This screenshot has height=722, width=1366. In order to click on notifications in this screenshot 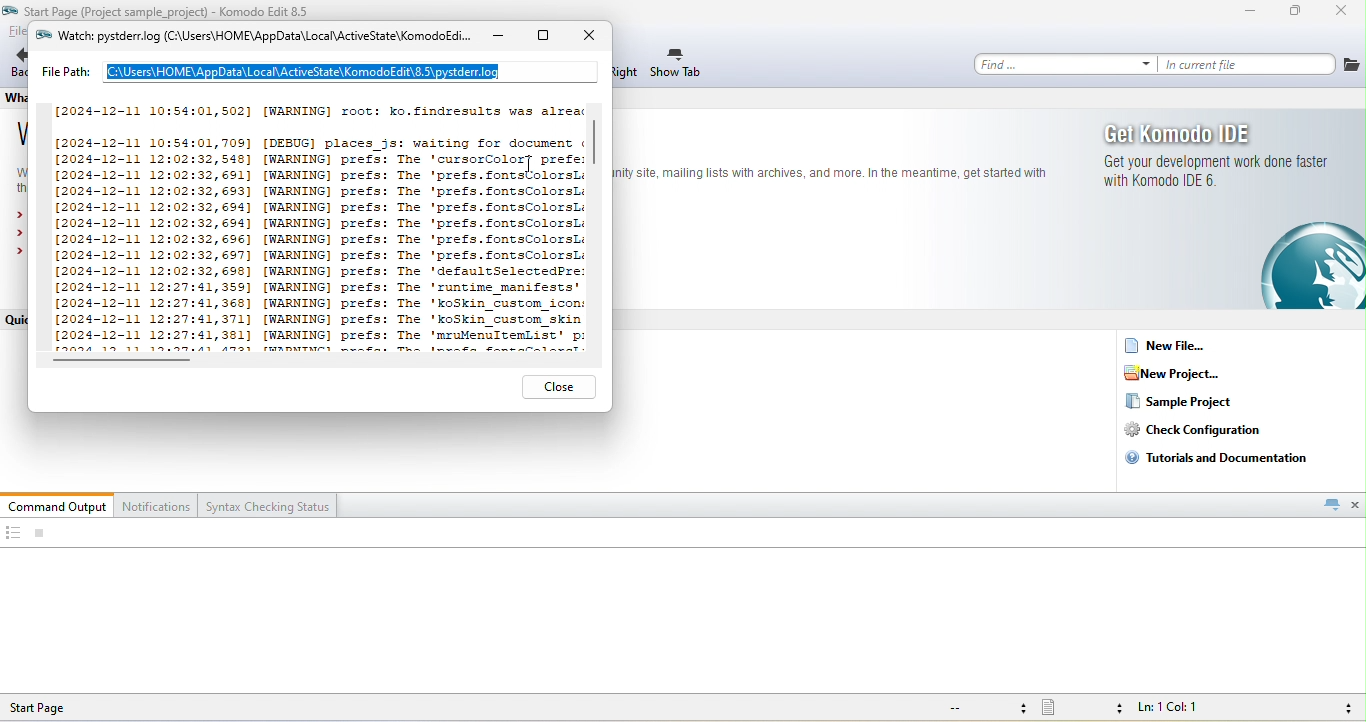, I will do `click(158, 505)`.